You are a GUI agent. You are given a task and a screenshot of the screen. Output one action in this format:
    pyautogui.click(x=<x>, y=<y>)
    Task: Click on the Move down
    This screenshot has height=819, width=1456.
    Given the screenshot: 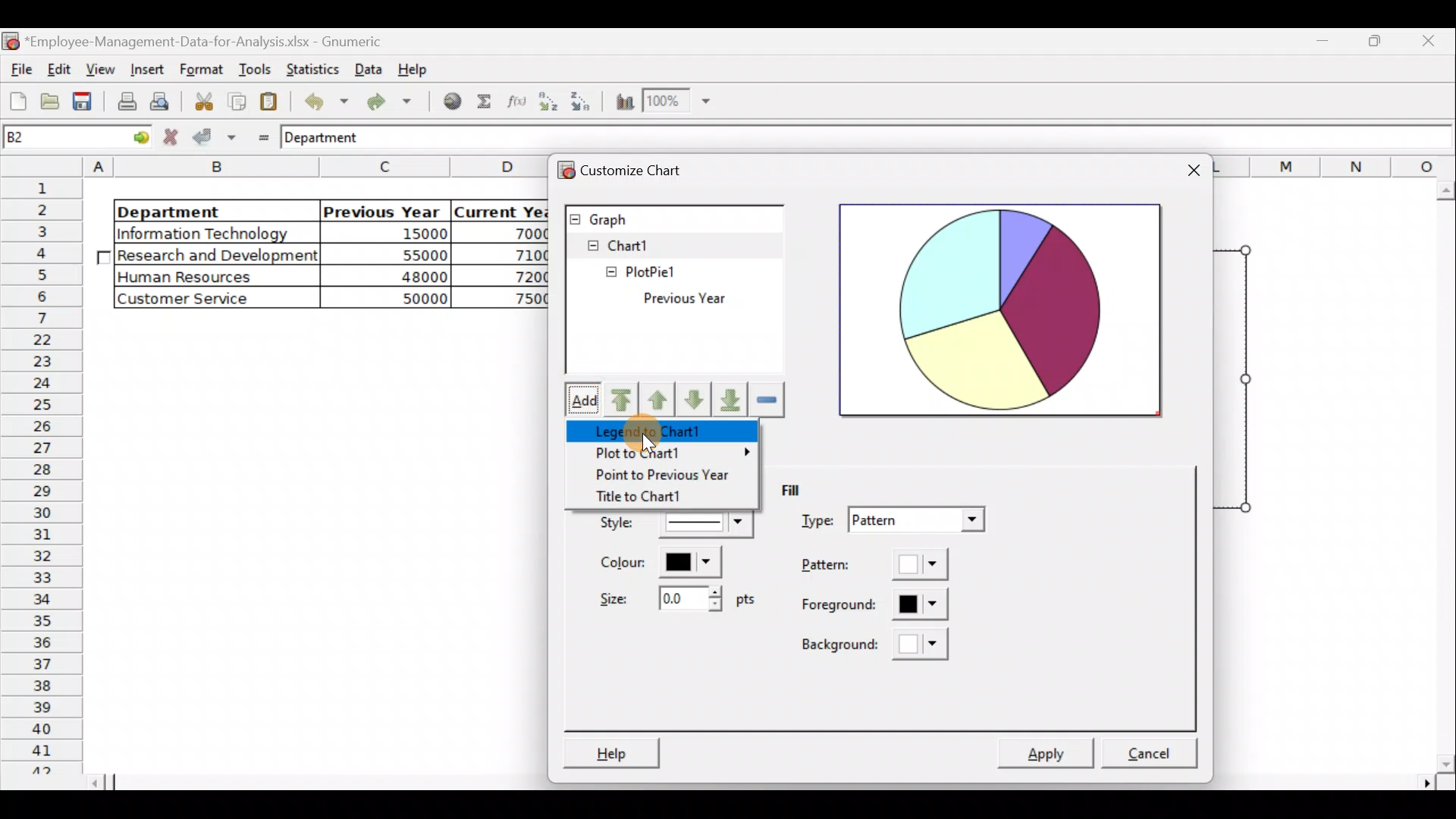 What is the action you would take?
    pyautogui.click(x=696, y=400)
    